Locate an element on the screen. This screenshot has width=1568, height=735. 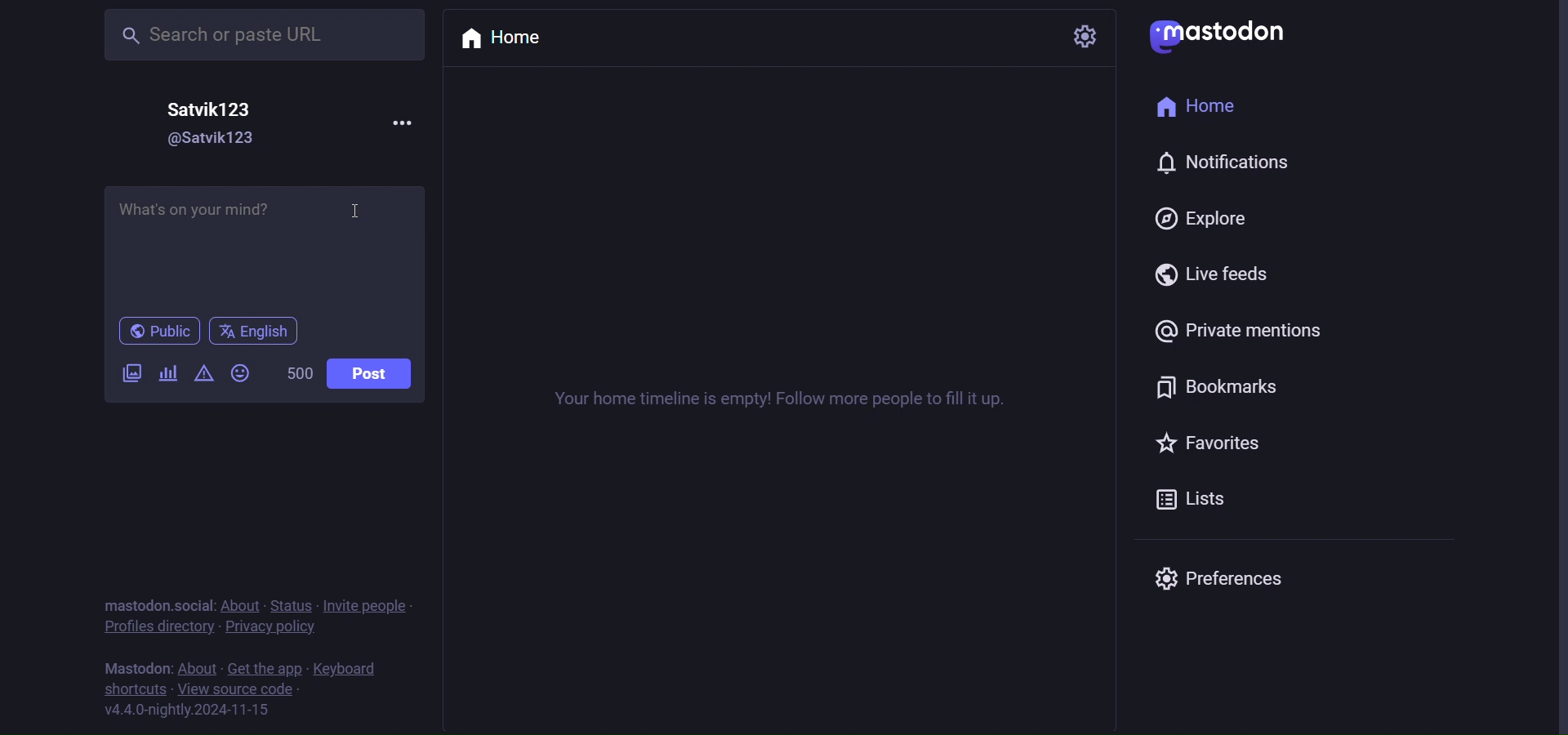
search is located at coordinates (244, 34).